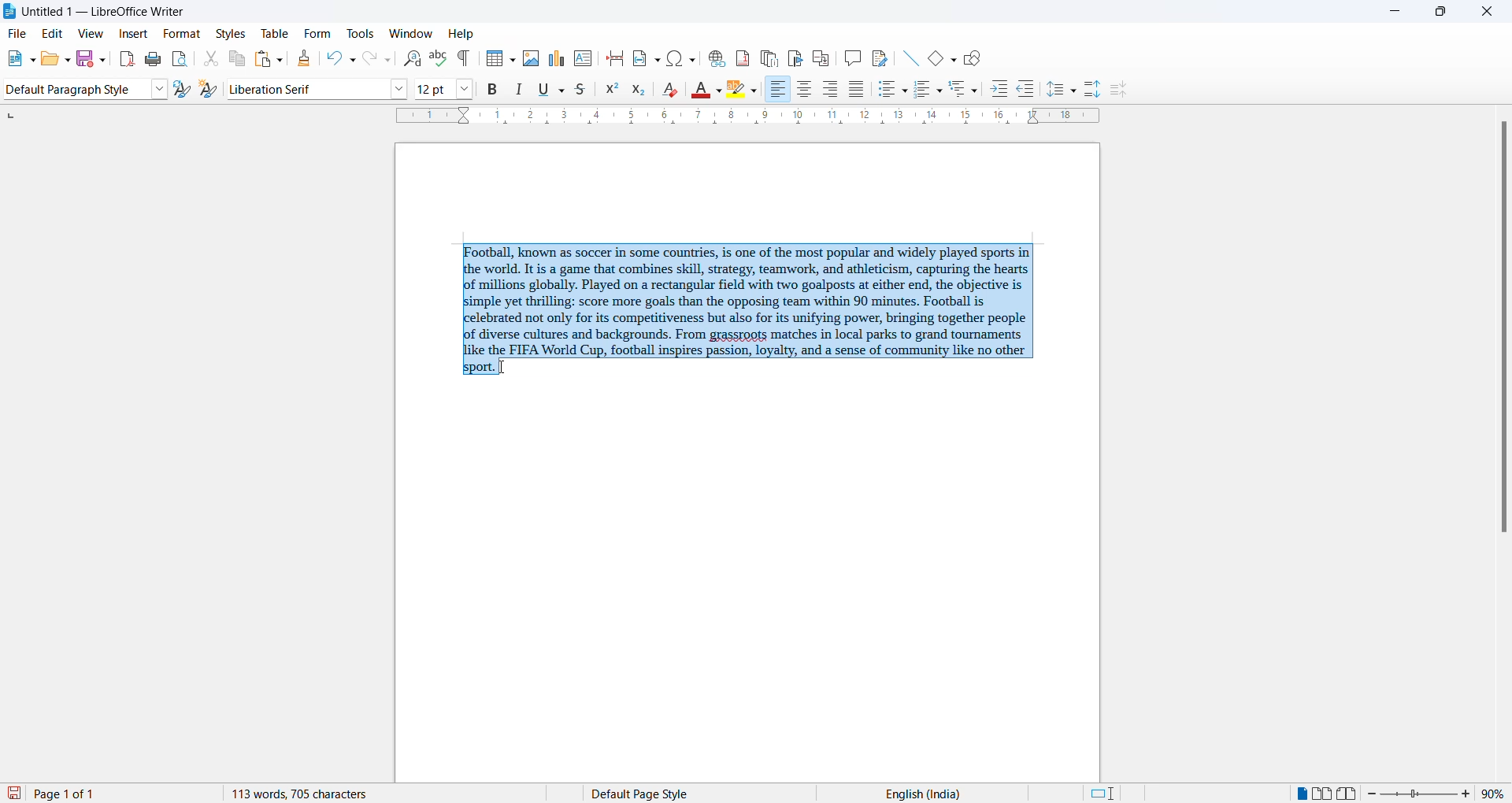  I want to click on zoom slider, so click(1421, 794).